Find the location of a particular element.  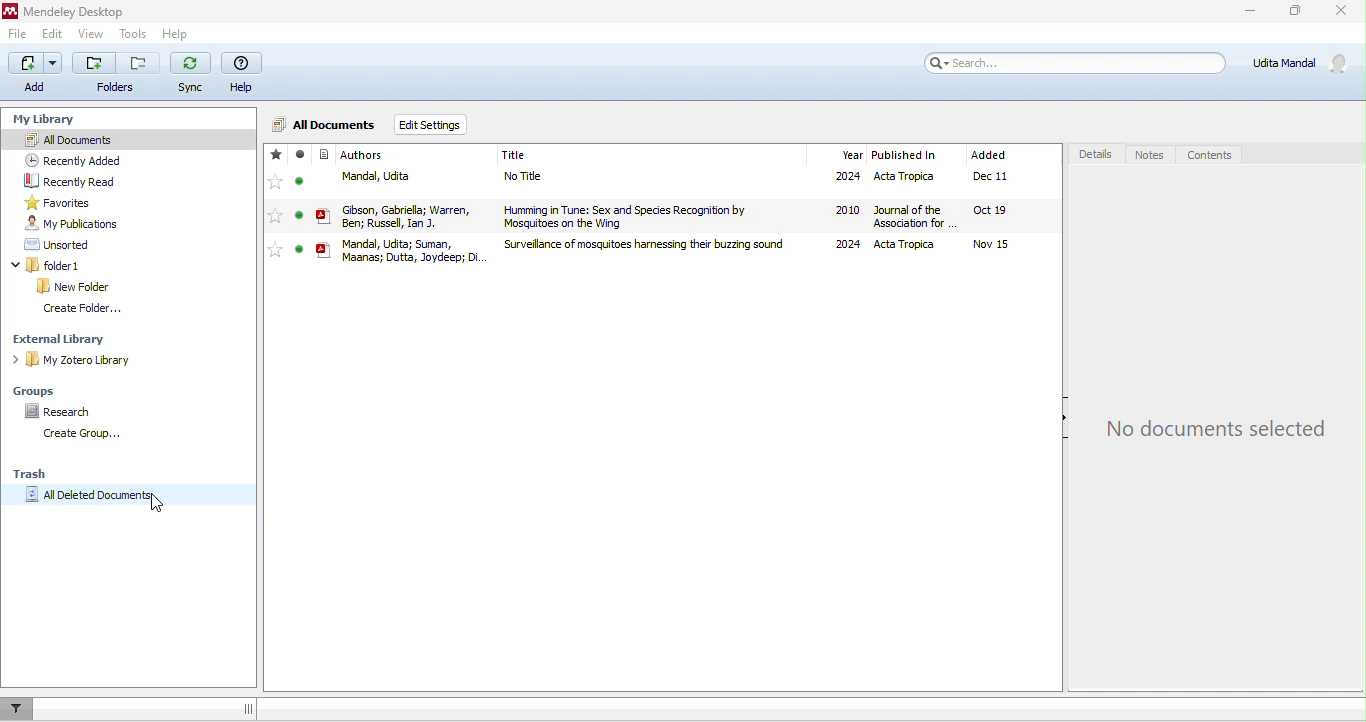

my library is located at coordinates (48, 121).